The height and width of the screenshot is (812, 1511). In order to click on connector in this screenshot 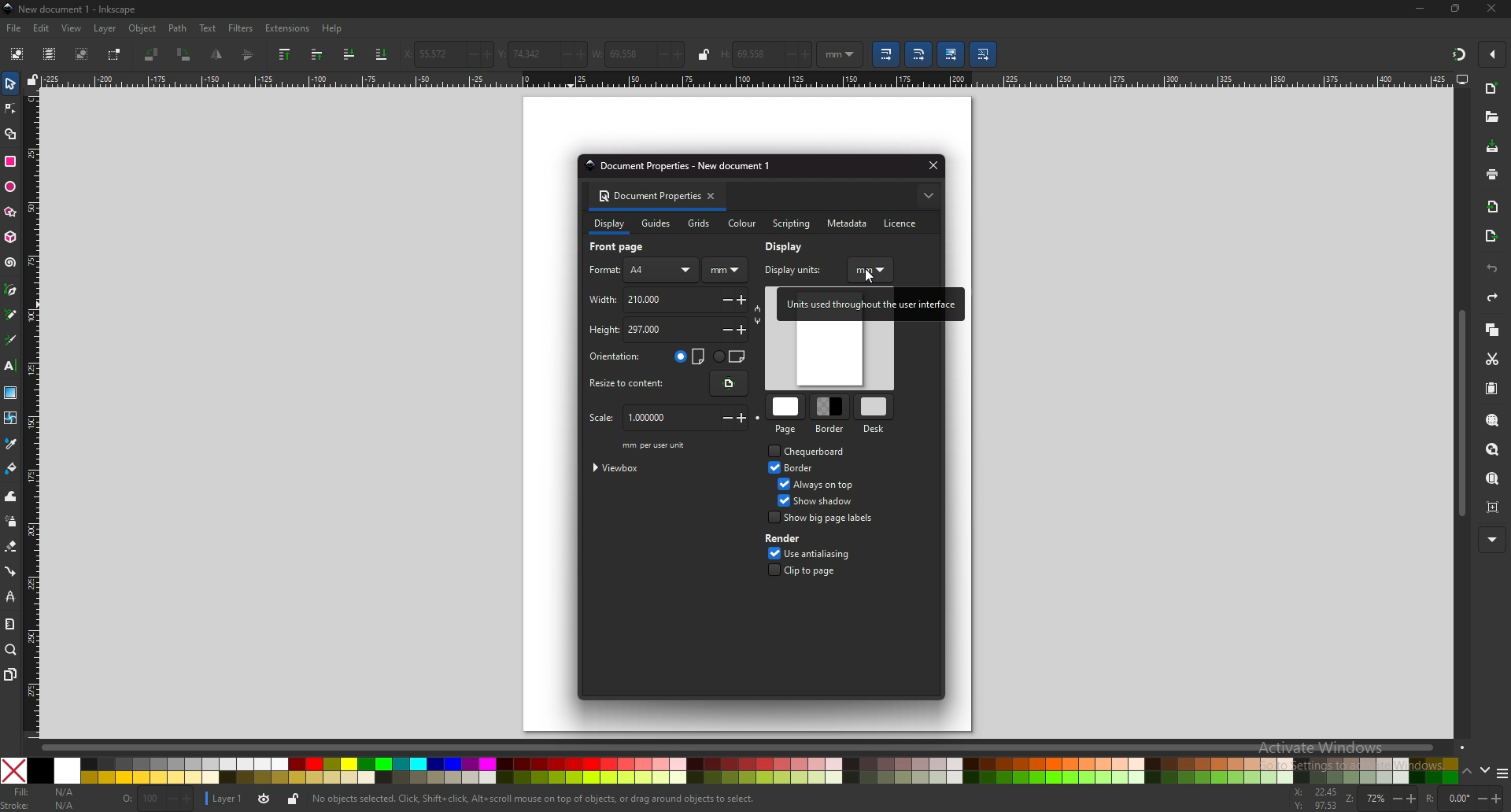, I will do `click(10, 570)`.